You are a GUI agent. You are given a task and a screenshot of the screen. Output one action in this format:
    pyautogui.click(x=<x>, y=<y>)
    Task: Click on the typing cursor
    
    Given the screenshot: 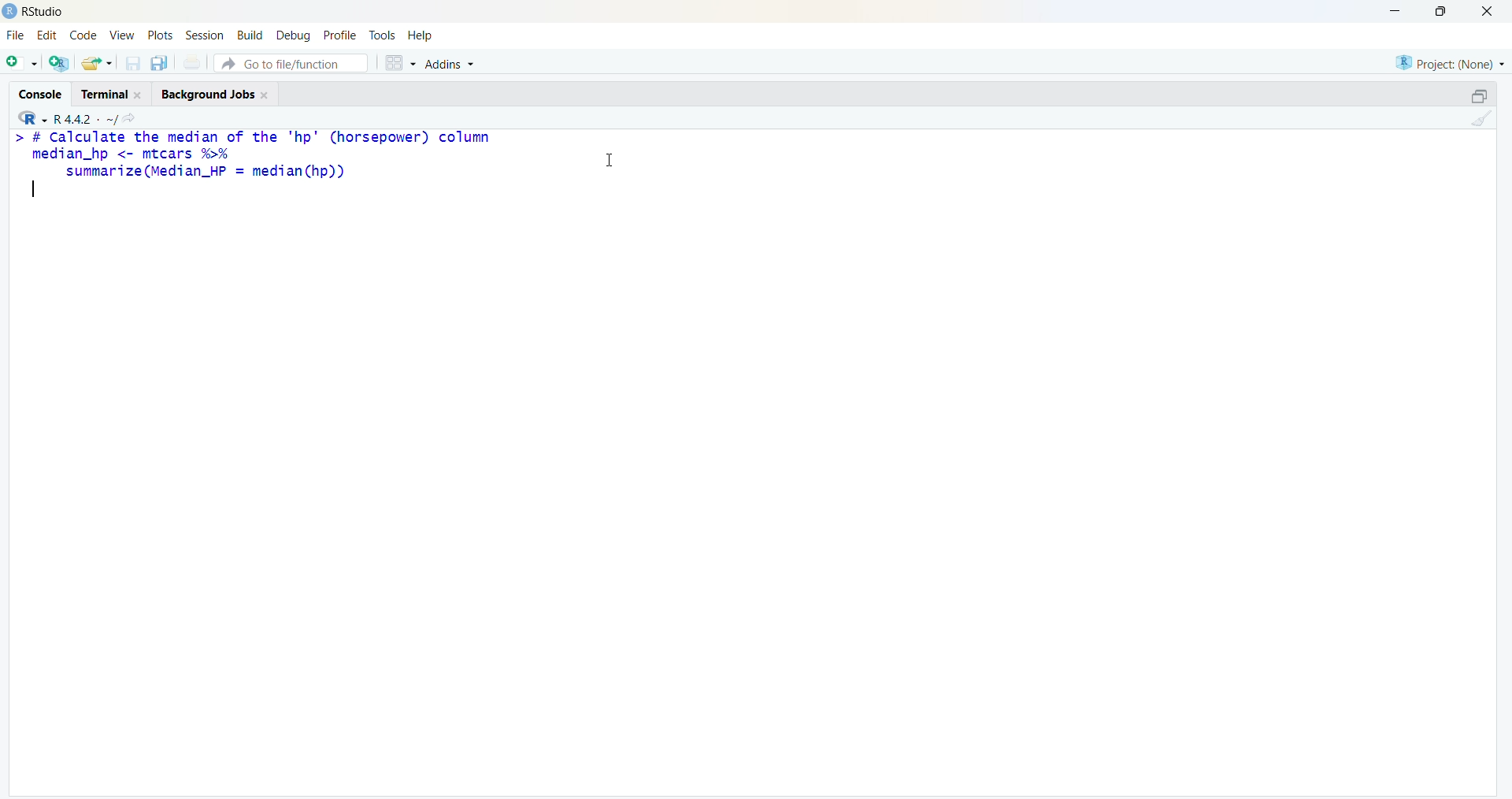 What is the action you would take?
    pyautogui.click(x=33, y=189)
    